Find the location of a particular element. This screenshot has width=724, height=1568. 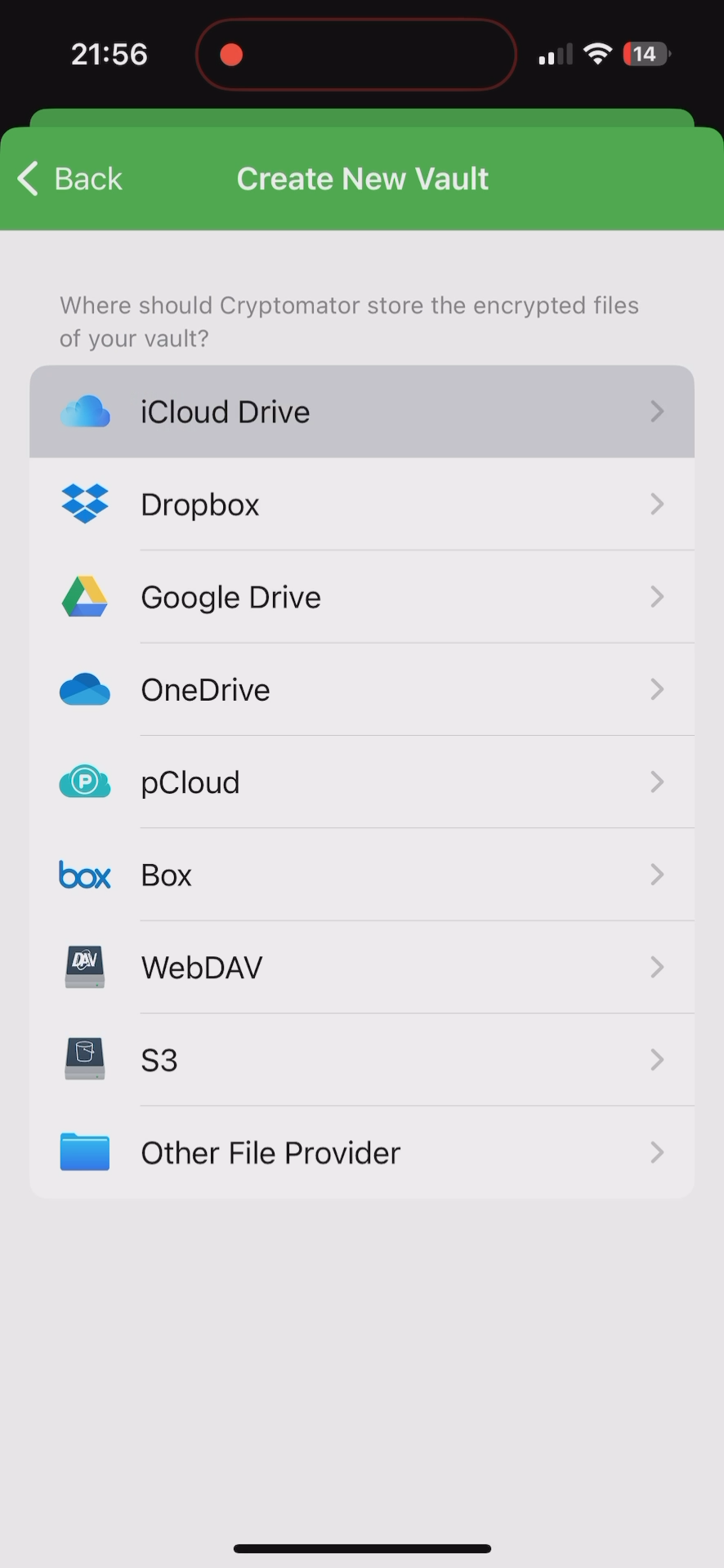

one drive is located at coordinates (364, 691).